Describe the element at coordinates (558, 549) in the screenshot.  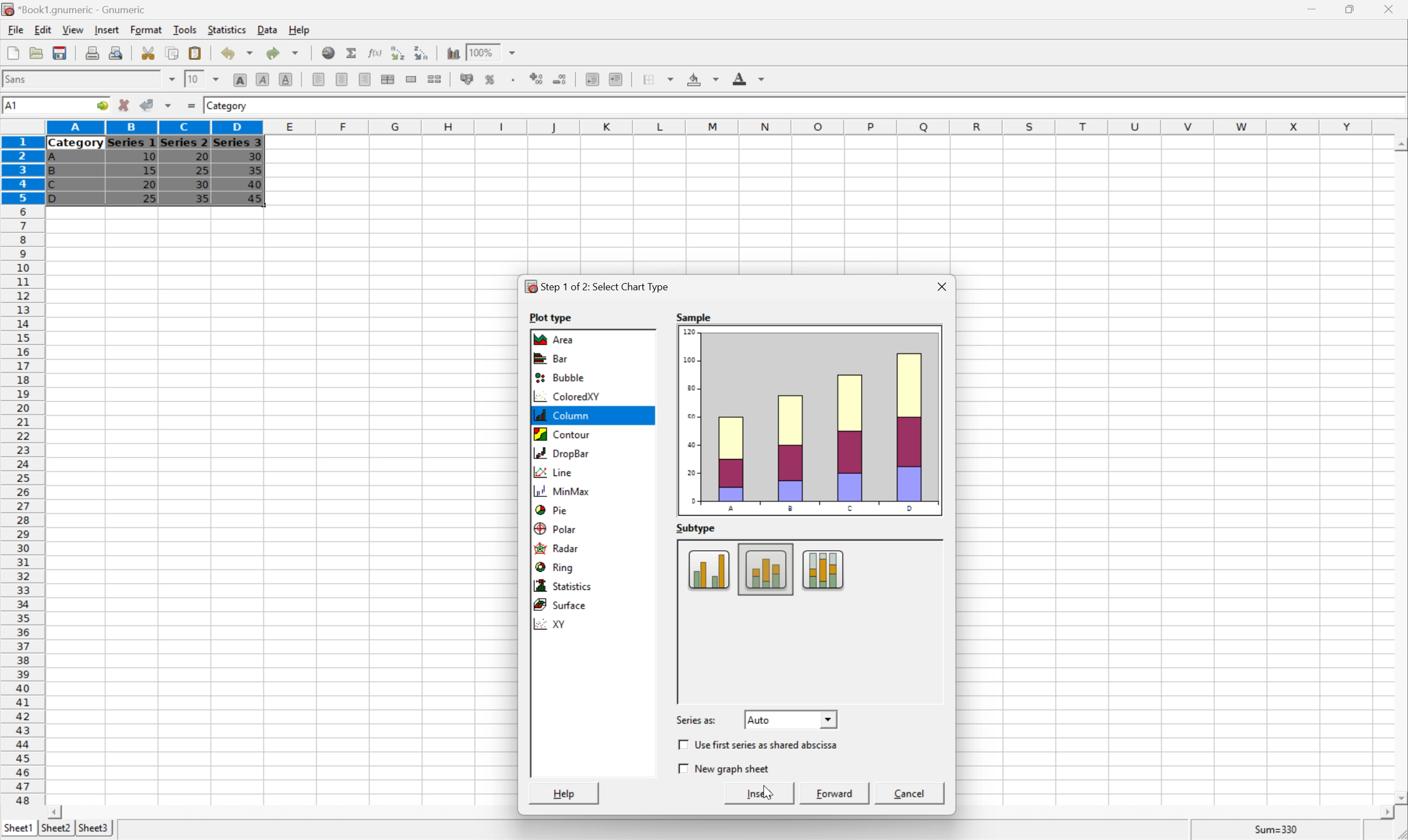
I see `Radar` at that location.